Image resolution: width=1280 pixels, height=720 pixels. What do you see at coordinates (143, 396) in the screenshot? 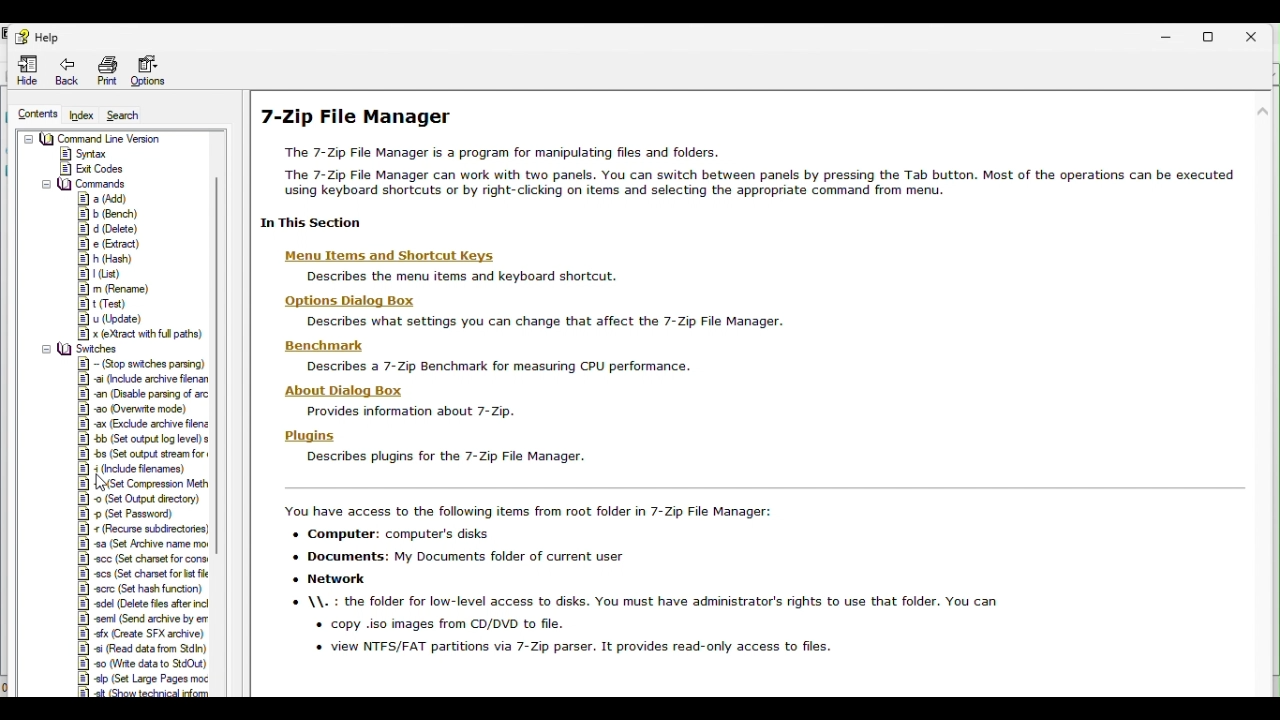
I see `Disable parsing` at bounding box center [143, 396].